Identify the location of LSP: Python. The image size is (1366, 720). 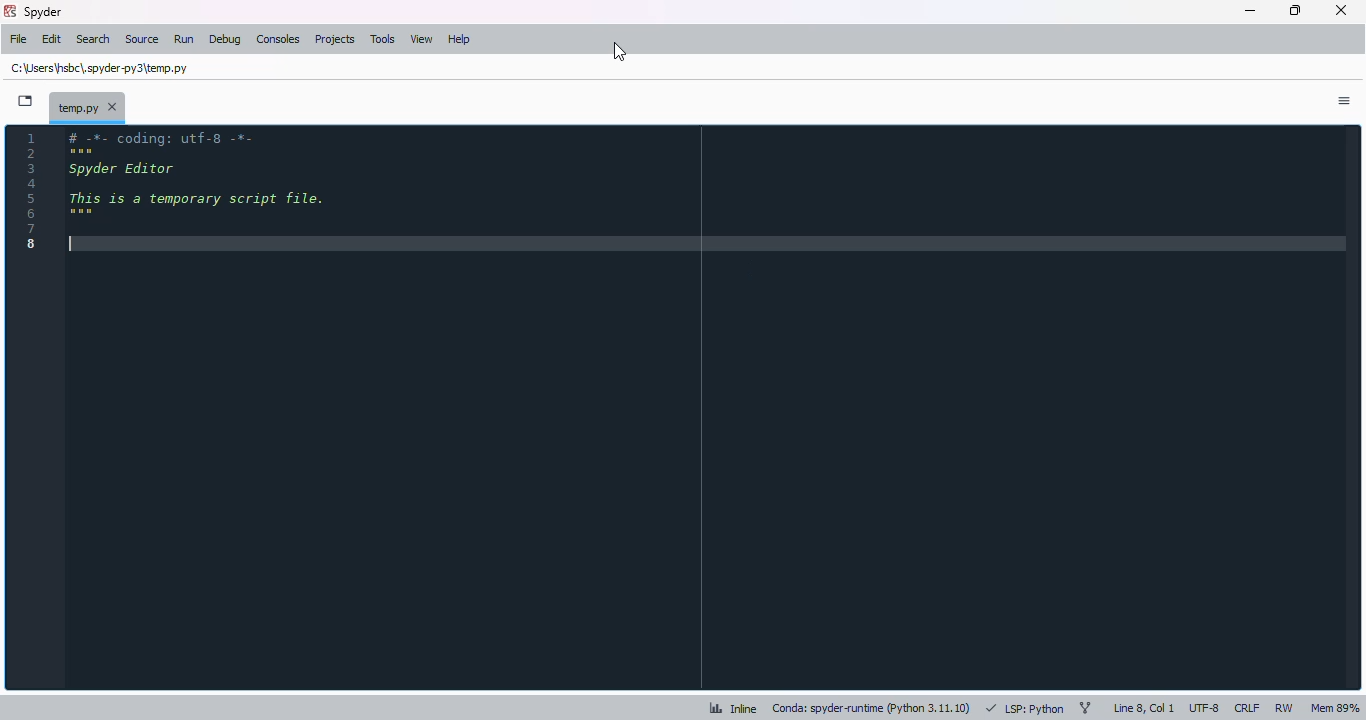
(1025, 709).